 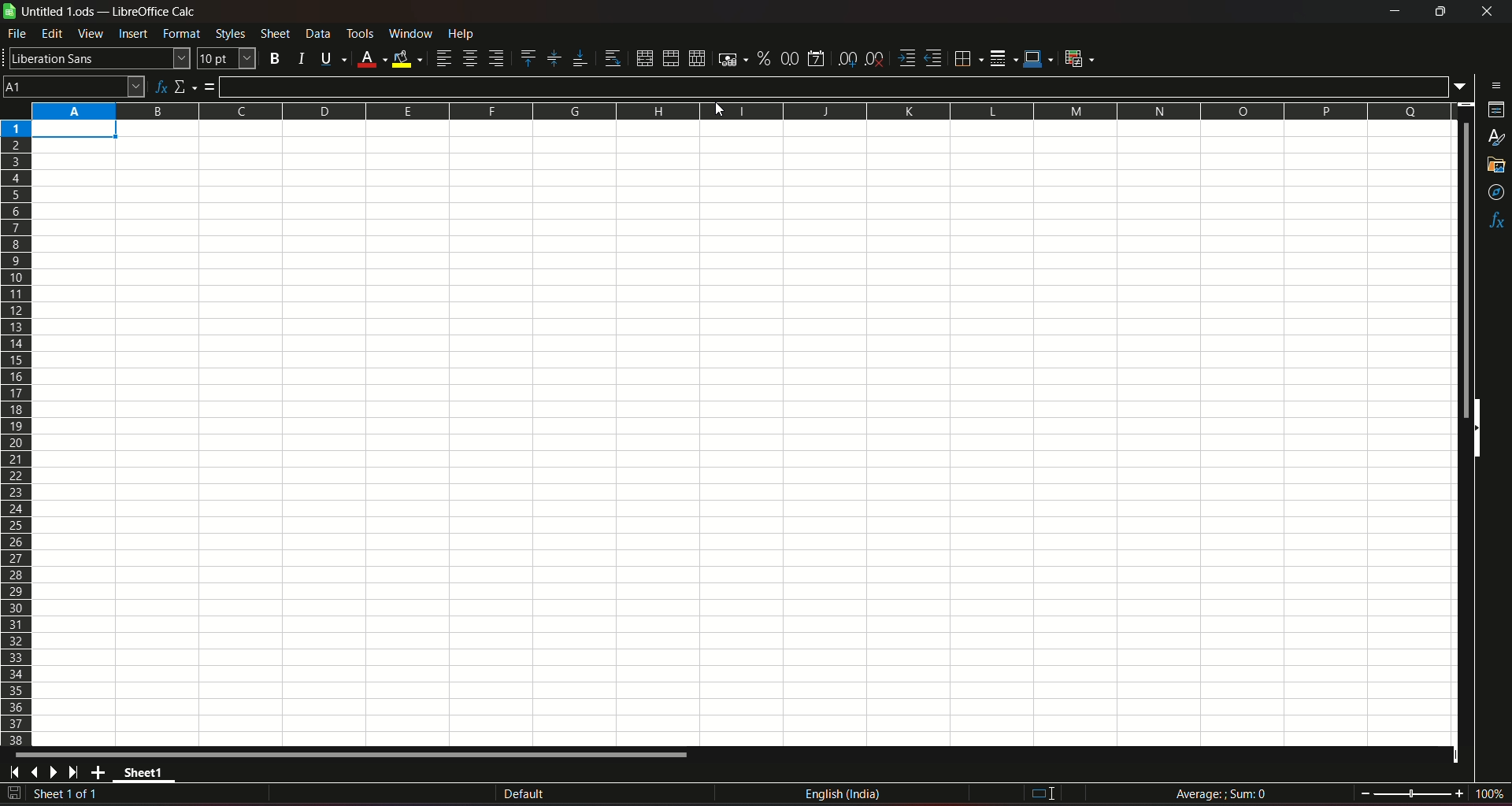 I want to click on input line, so click(x=835, y=87).